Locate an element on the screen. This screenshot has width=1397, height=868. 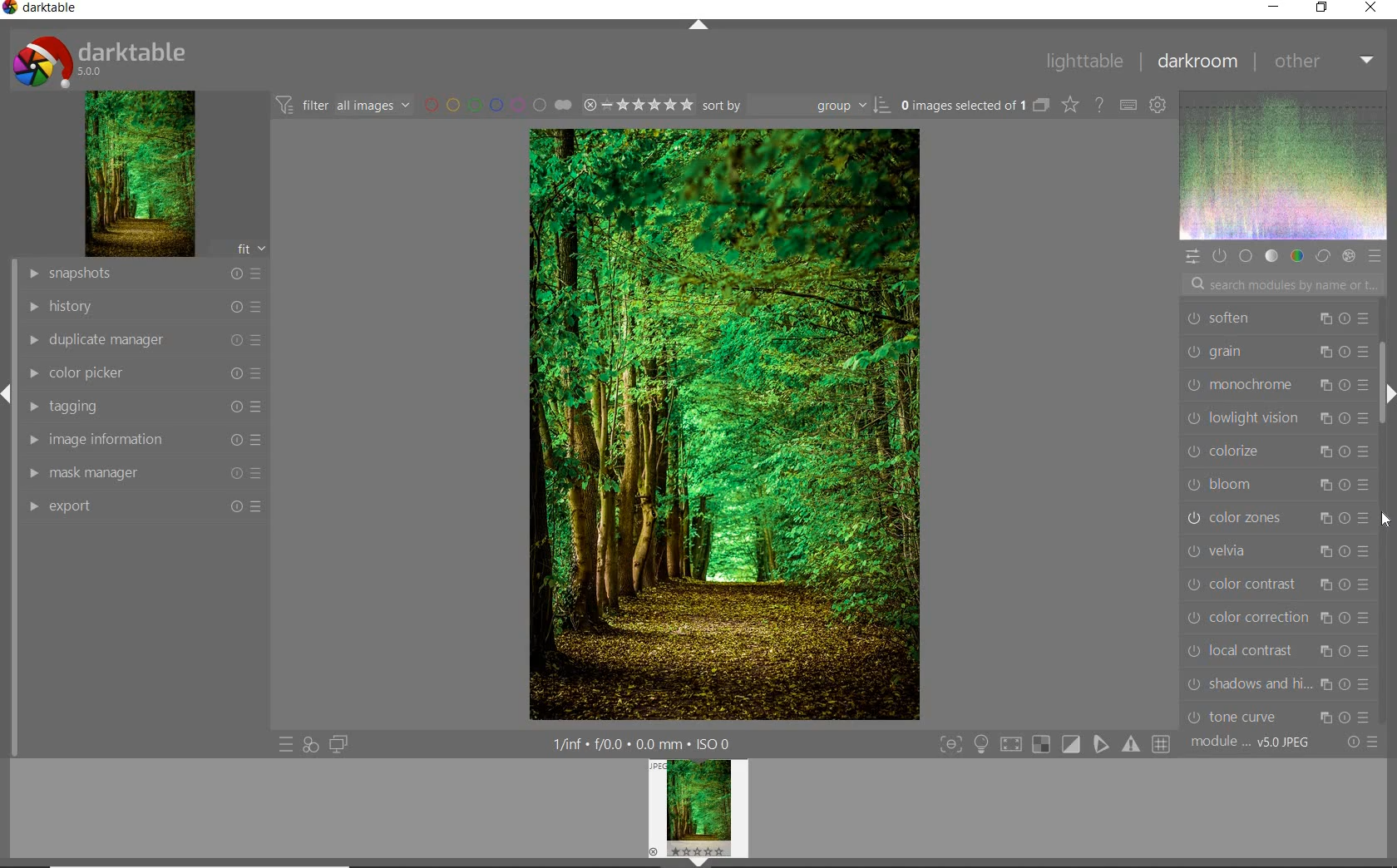
EFFORT is located at coordinates (146, 508).